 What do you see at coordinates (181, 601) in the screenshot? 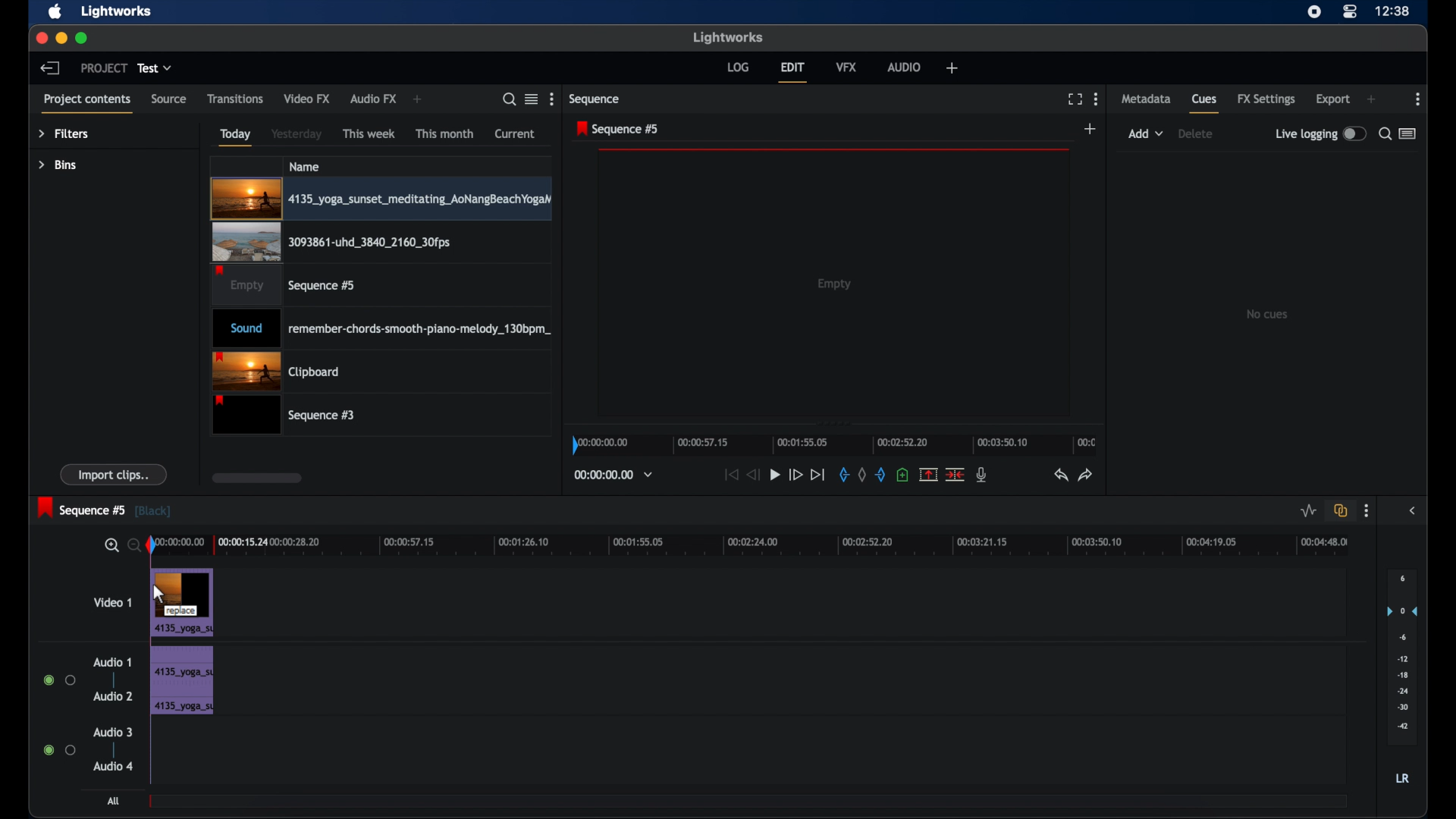
I see `video clip` at bounding box center [181, 601].